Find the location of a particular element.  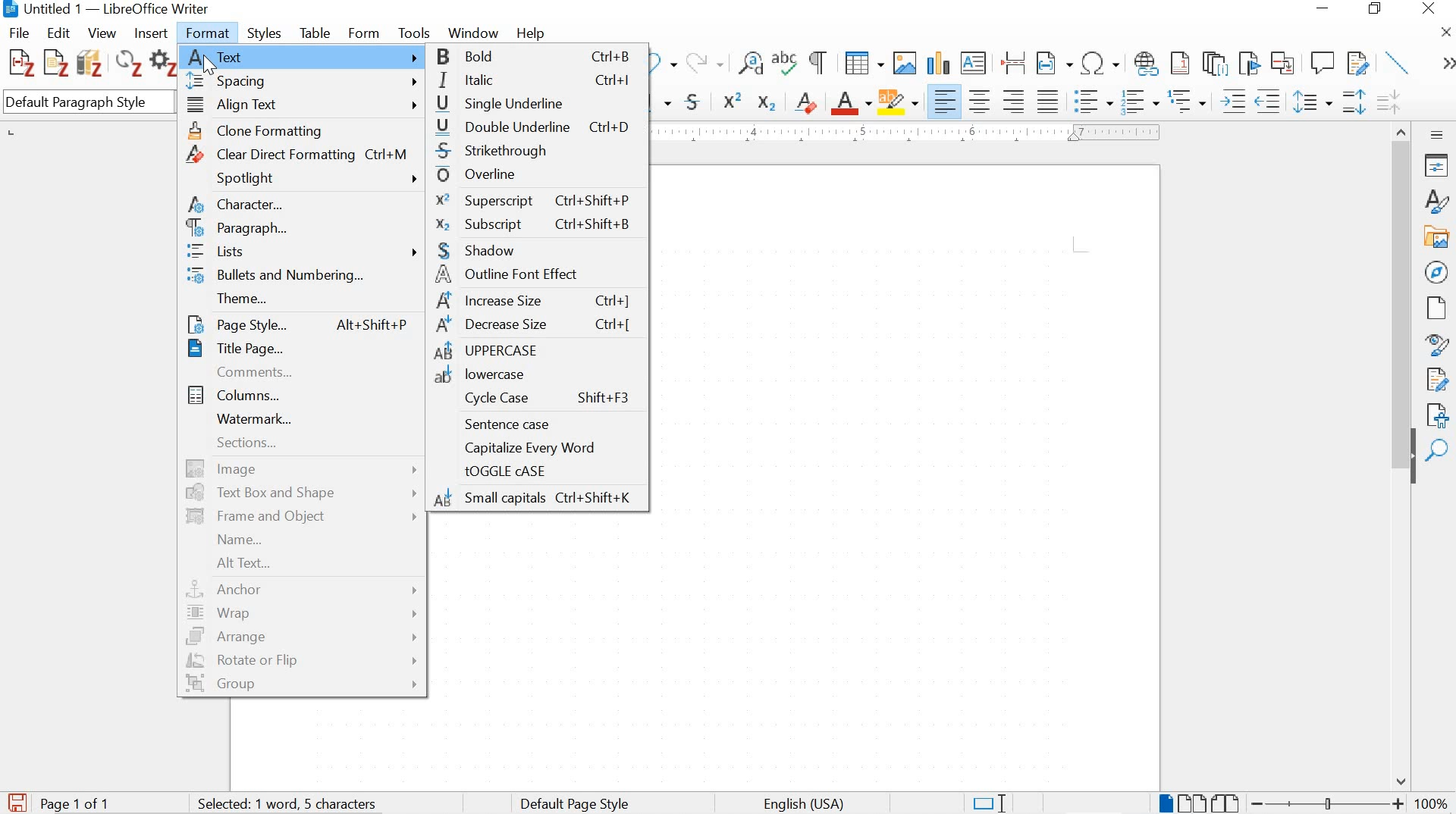

Properties is located at coordinates (1439, 165).